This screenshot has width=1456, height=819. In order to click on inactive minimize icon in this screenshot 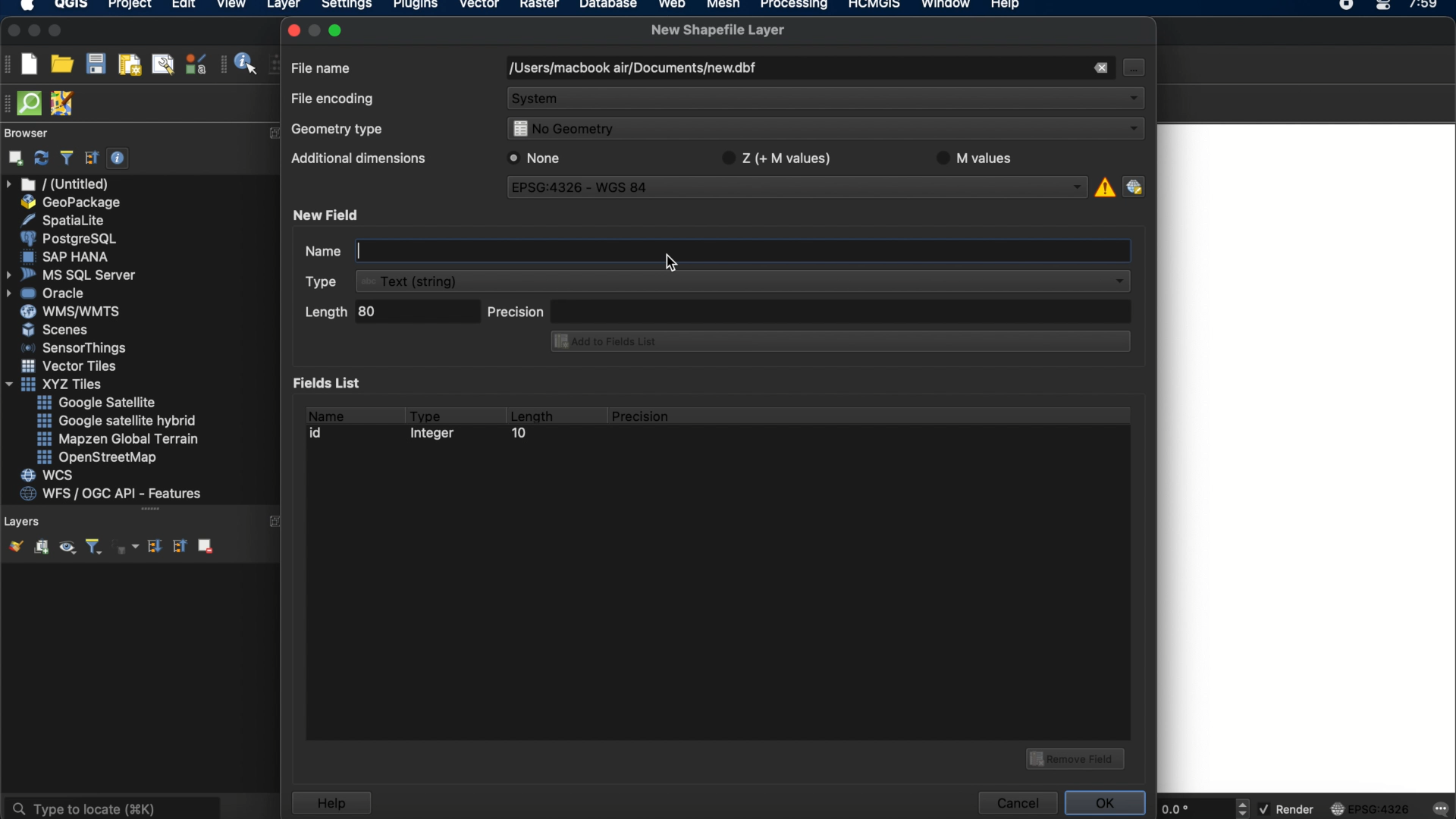, I will do `click(315, 30)`.